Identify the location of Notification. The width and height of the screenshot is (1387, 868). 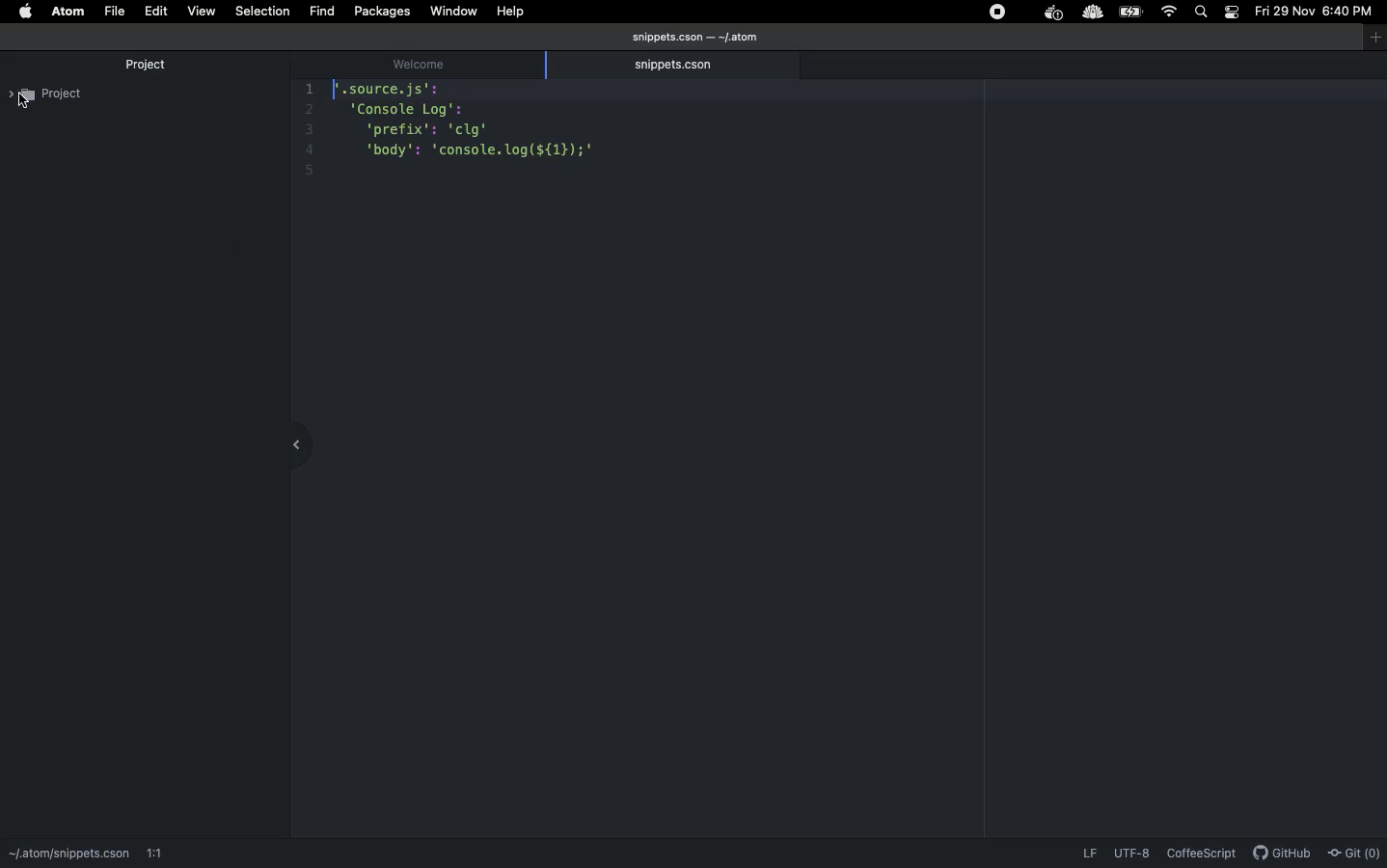
(1232, 12).